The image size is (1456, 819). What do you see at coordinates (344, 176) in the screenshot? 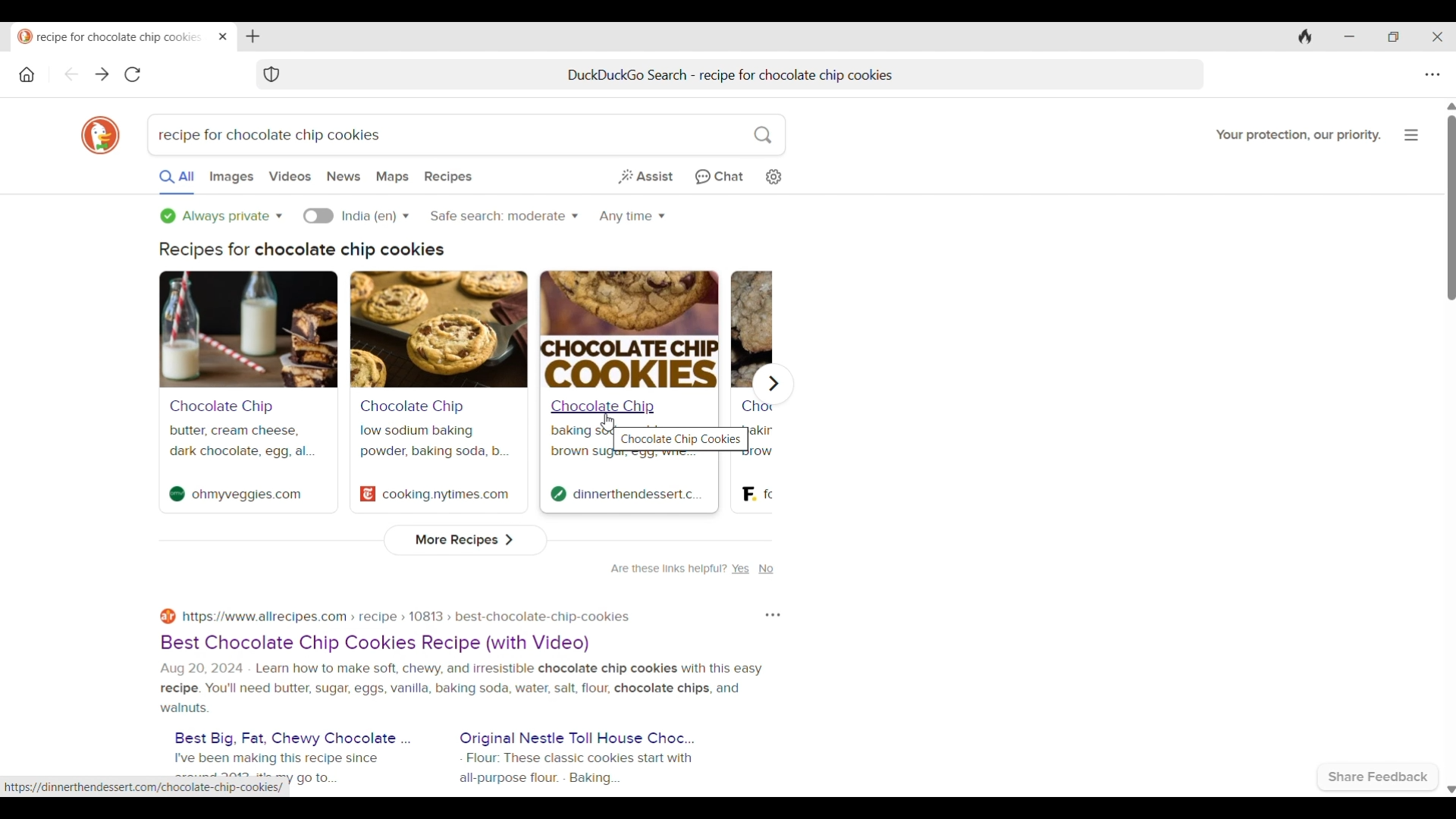
I see `Search news` at bounding box center [344, 176].